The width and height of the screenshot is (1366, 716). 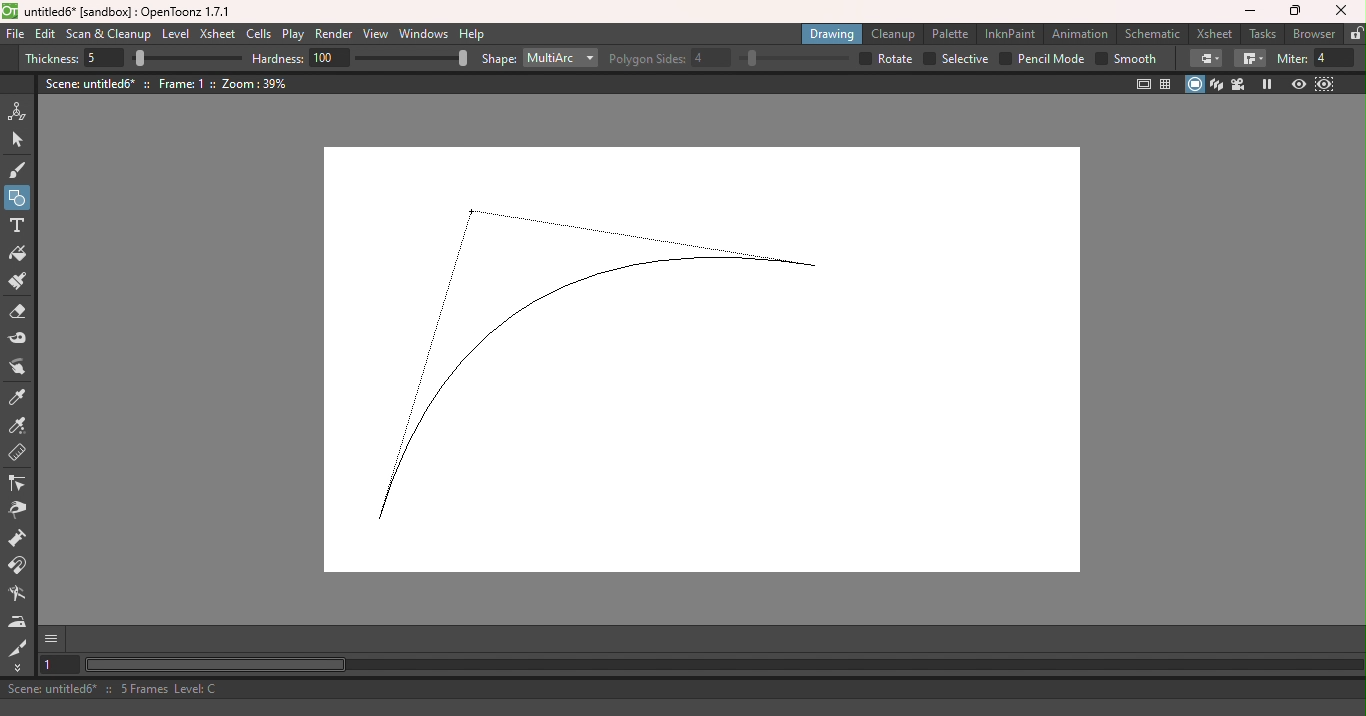 What do you see at coordinates (16, 453) in the screenshot?
I see `Ruler tool` at bounding box center [16, 453].